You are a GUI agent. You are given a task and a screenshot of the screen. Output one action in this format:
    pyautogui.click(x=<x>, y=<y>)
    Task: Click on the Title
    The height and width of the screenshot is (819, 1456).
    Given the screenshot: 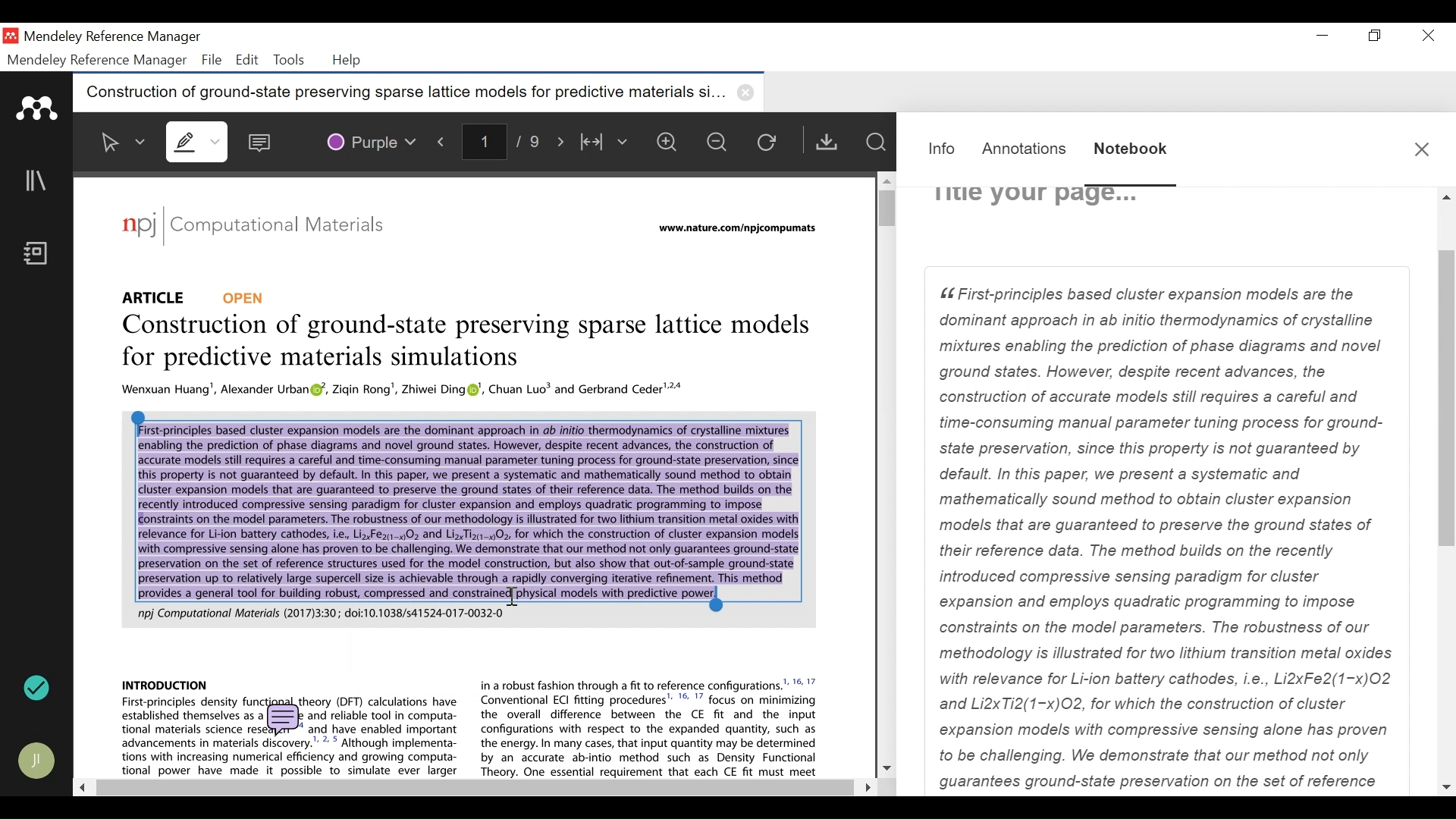 What is the action you would take?
    pyautogui.click(x=470, y=344)
    